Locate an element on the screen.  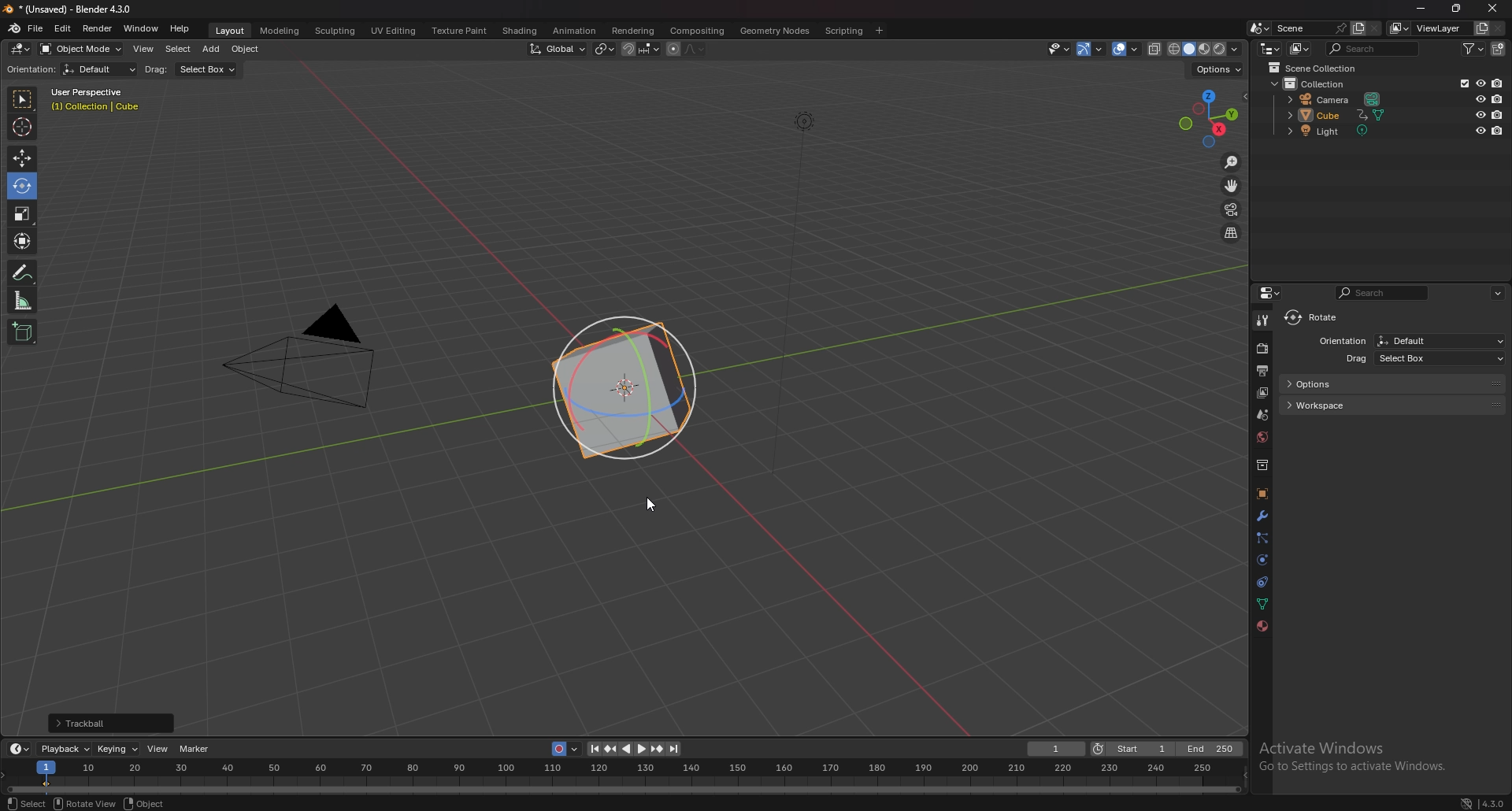
view is located at coordinates (144, 49).